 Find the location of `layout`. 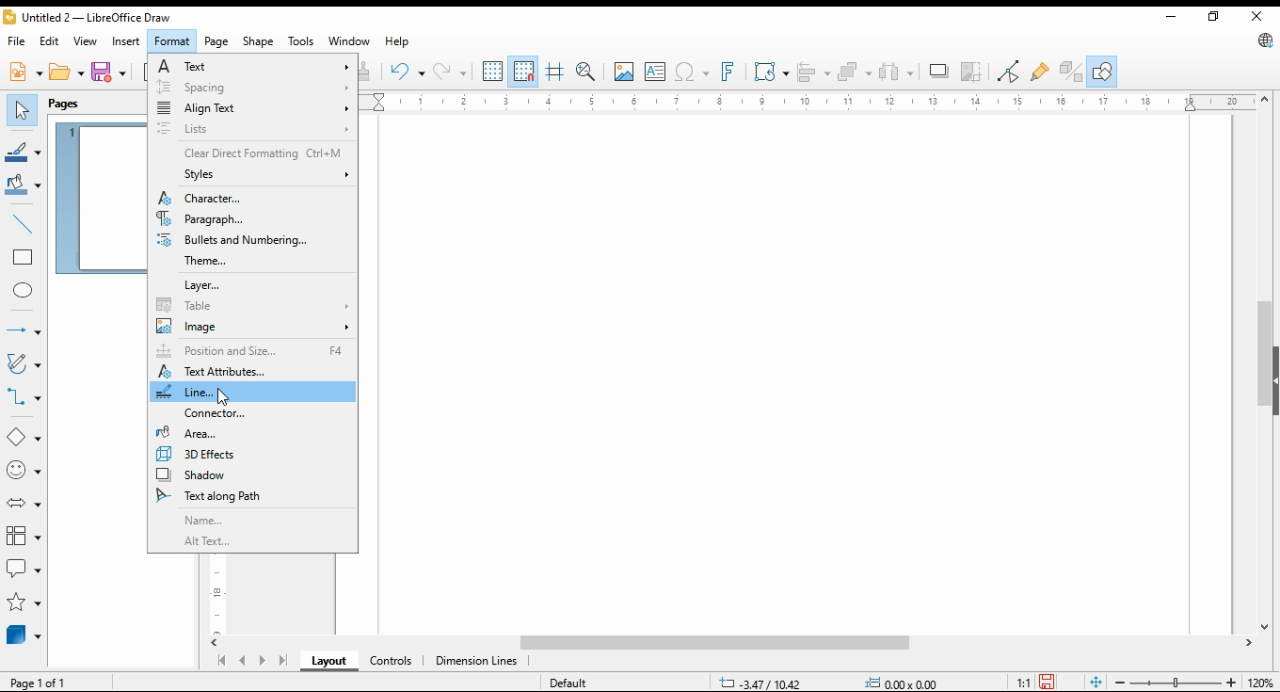

layout is located at coordinates (330, 661).